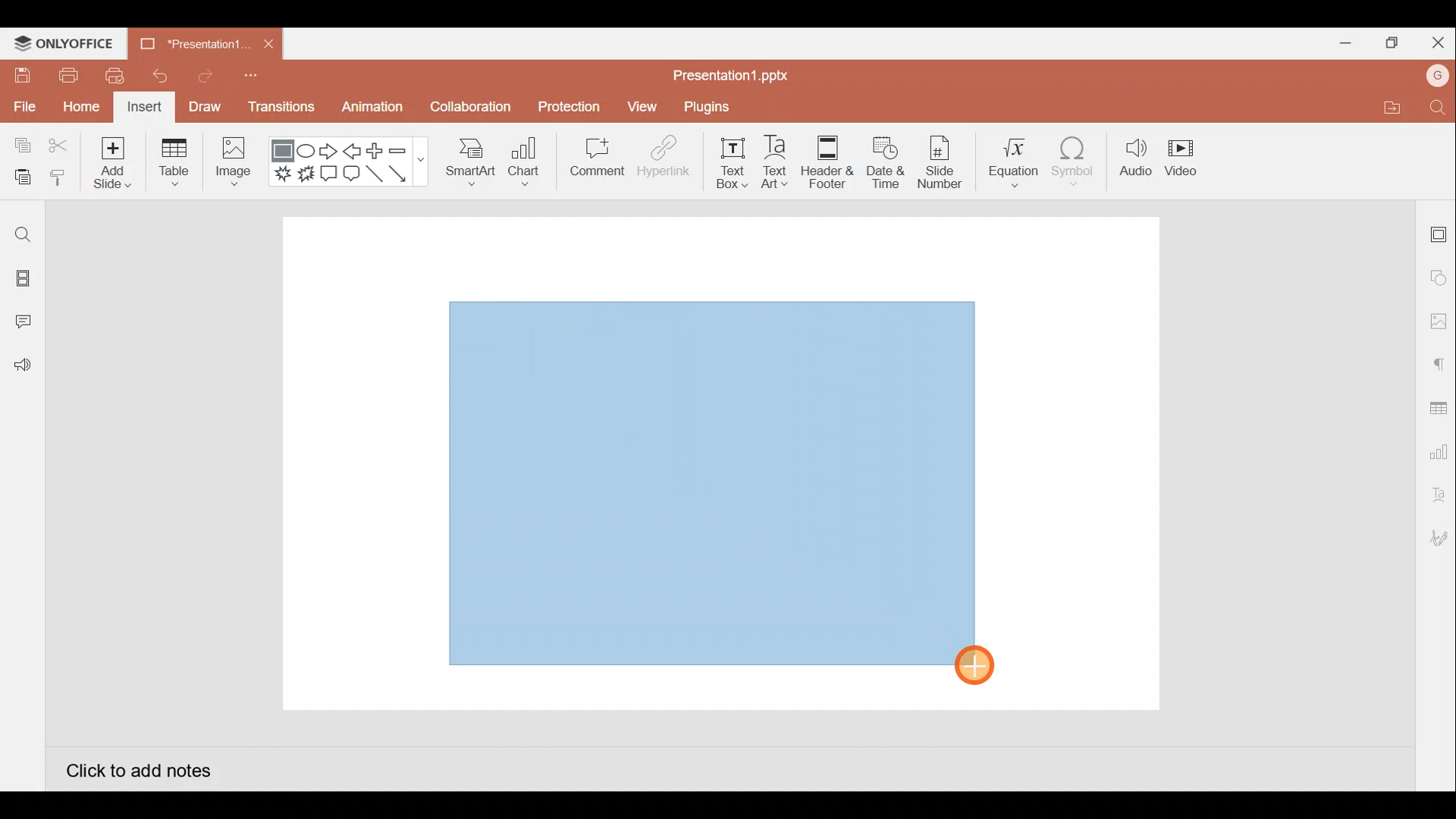 This screenshot has height=819, width=1456. I want to click on Maximize, so click(1388, 43).